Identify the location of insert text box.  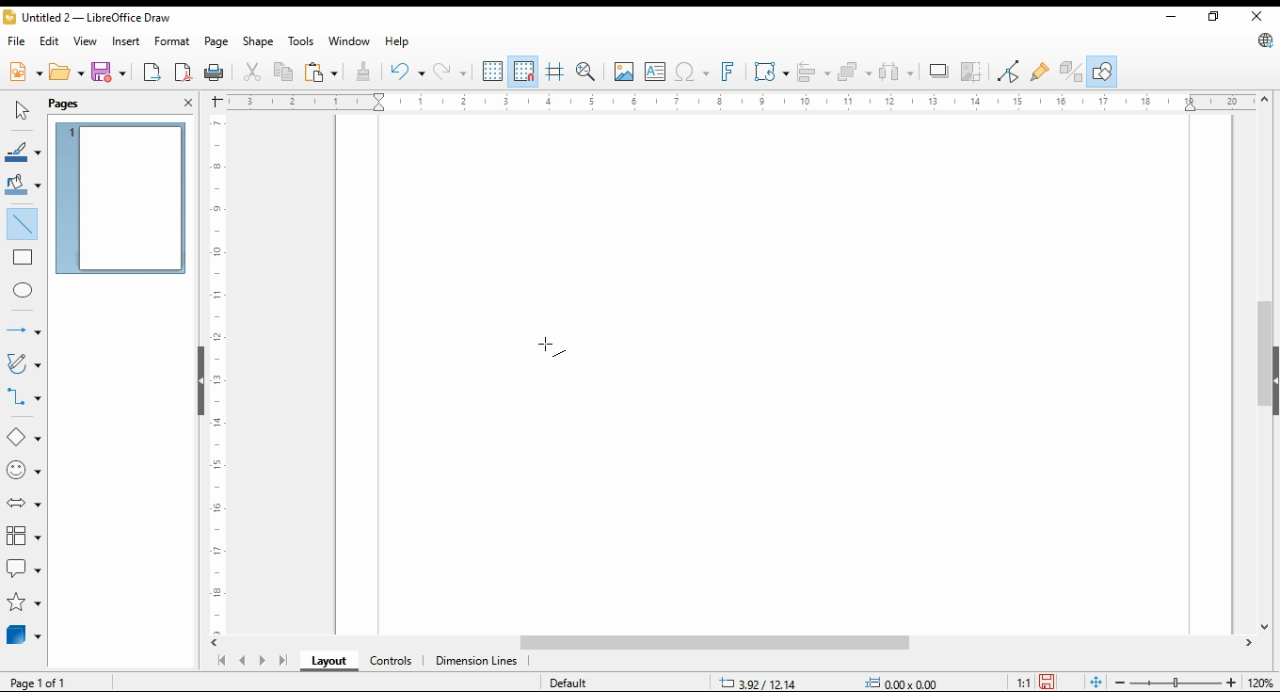
(655, 71).